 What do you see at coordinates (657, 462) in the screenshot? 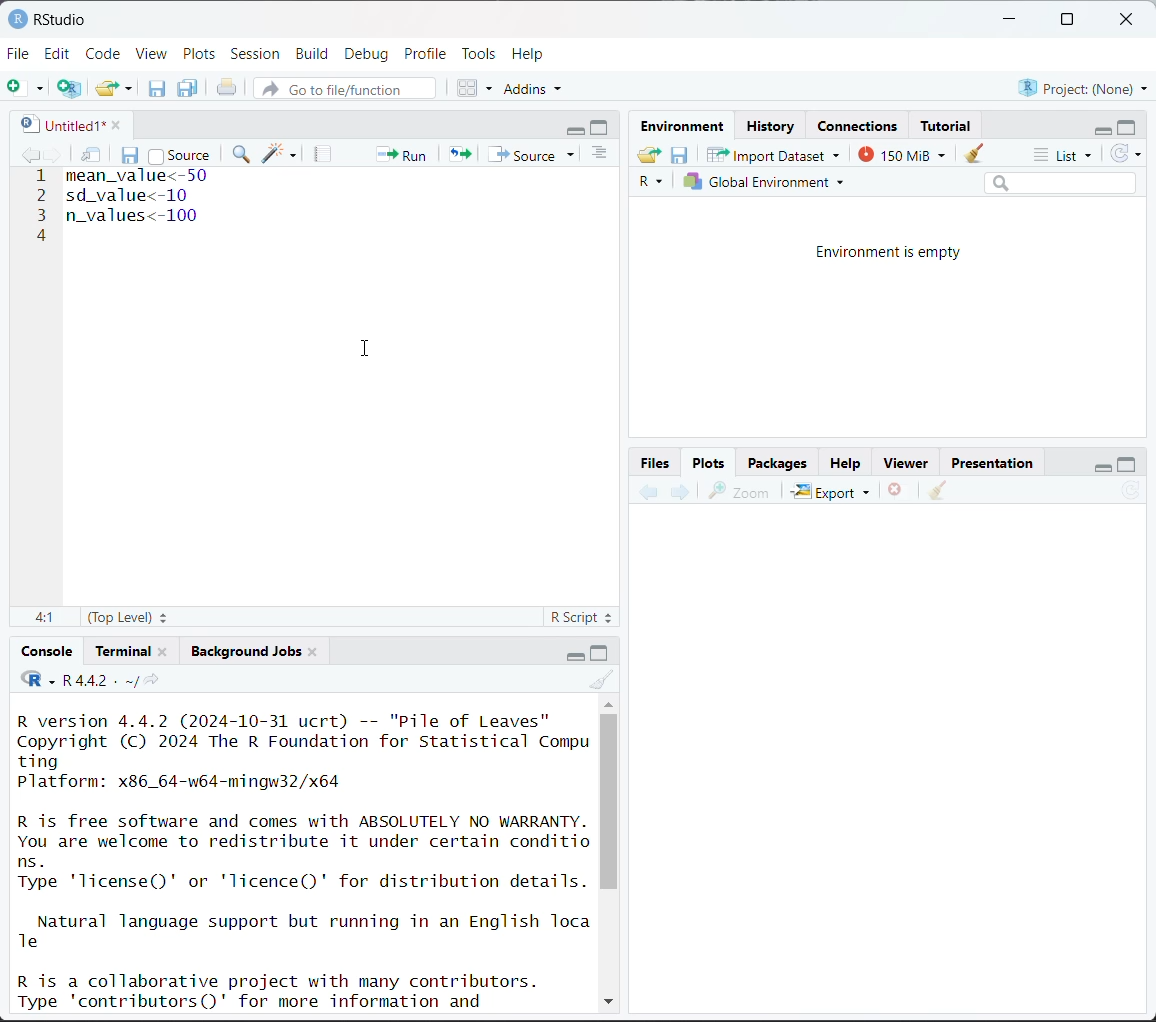
I see `` at bounding box center [657, 462].